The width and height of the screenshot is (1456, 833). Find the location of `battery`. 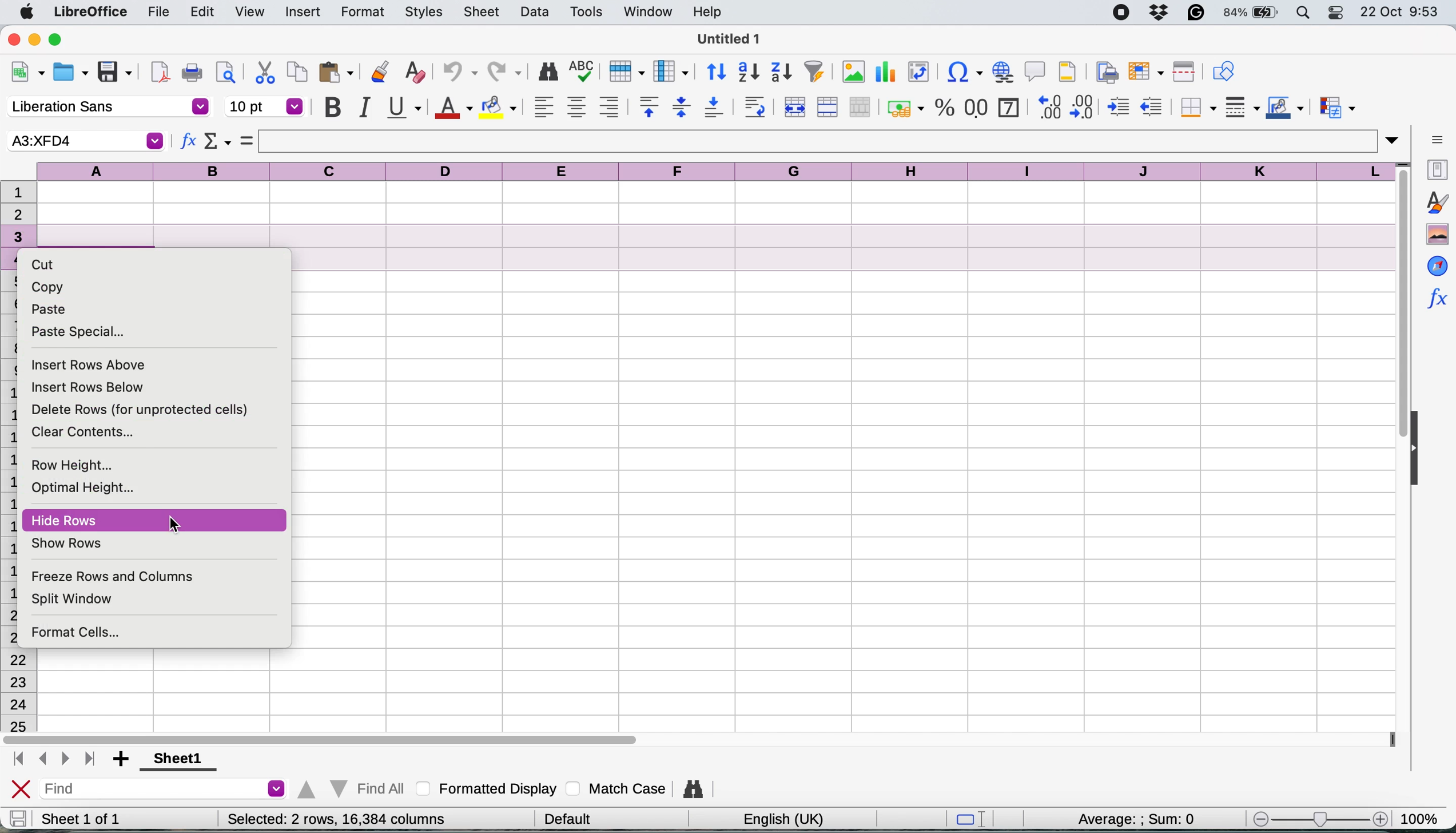

battery is located at coordinates (1252, 13).